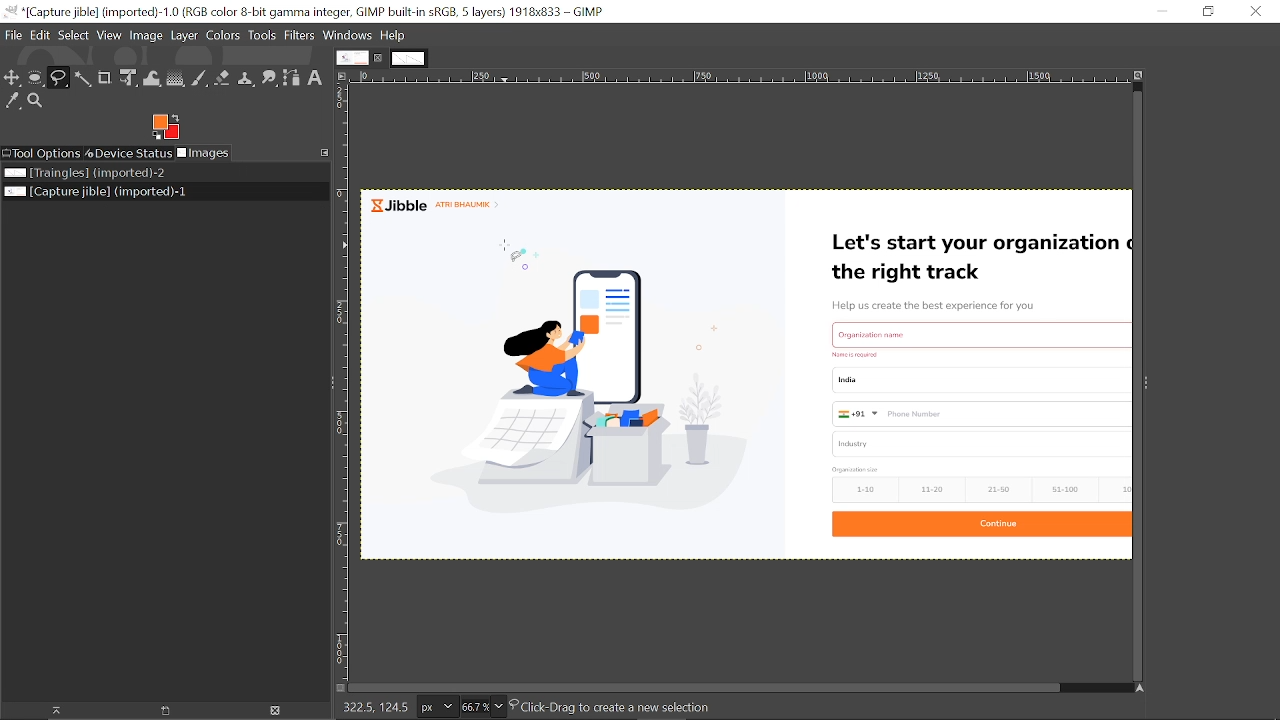 The image size is (1280, 720). What do you see at coordinates (316, 78) in the screenshot?
I see `text tool` at bounding box center [316, 78].